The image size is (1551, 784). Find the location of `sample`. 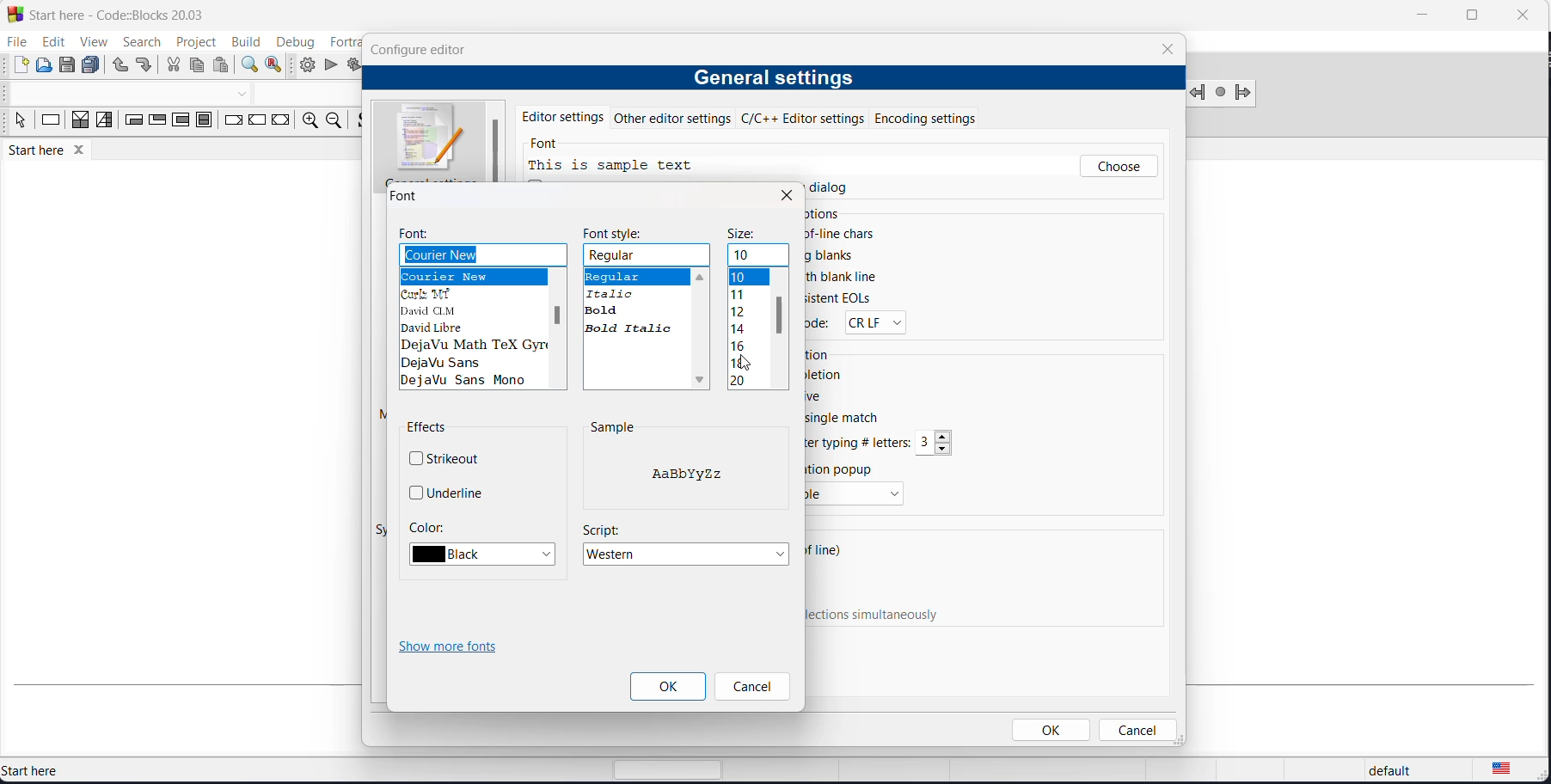

sample is located at coordinates (612, 427).